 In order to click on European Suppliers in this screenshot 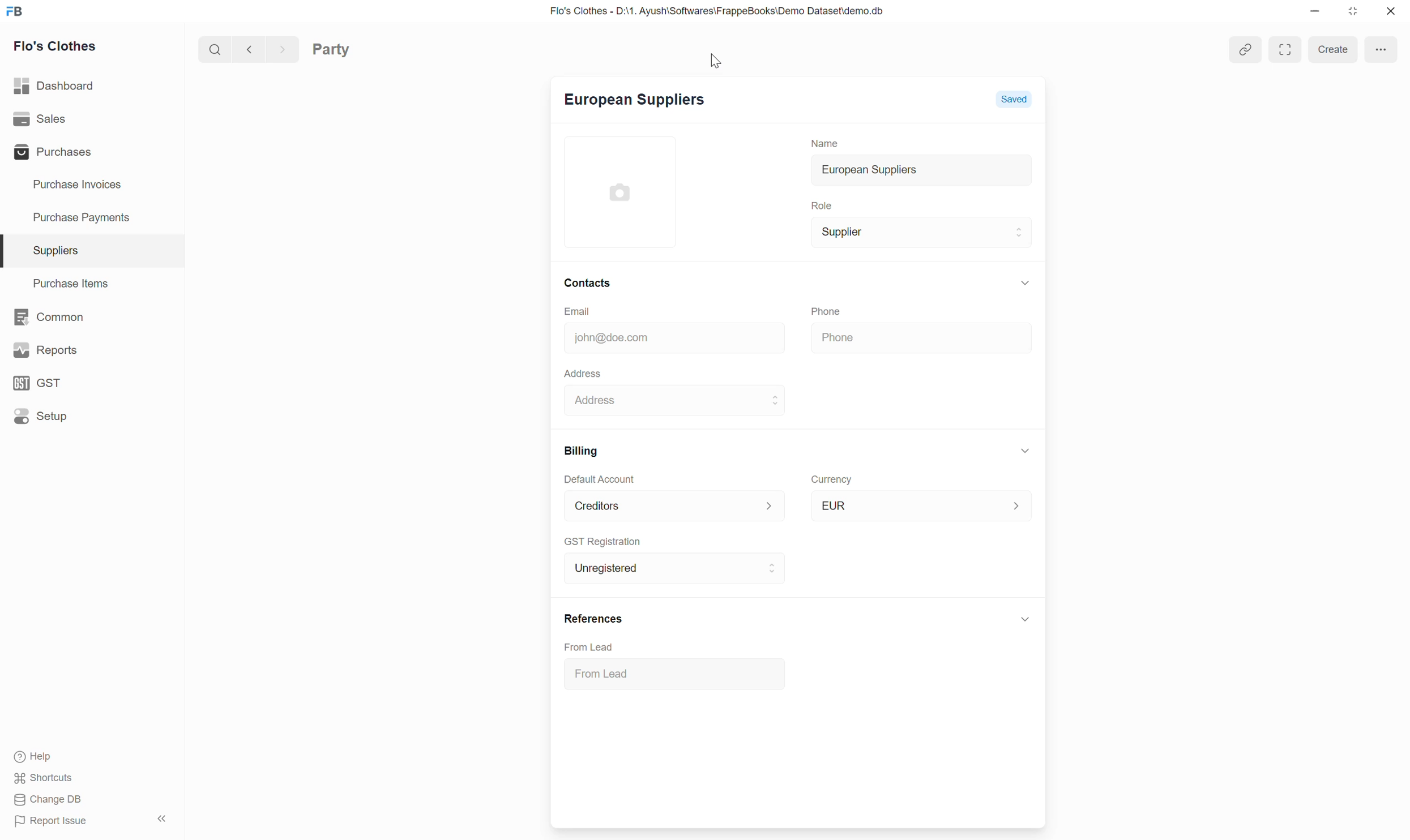, I will do `click(860, 169)`.